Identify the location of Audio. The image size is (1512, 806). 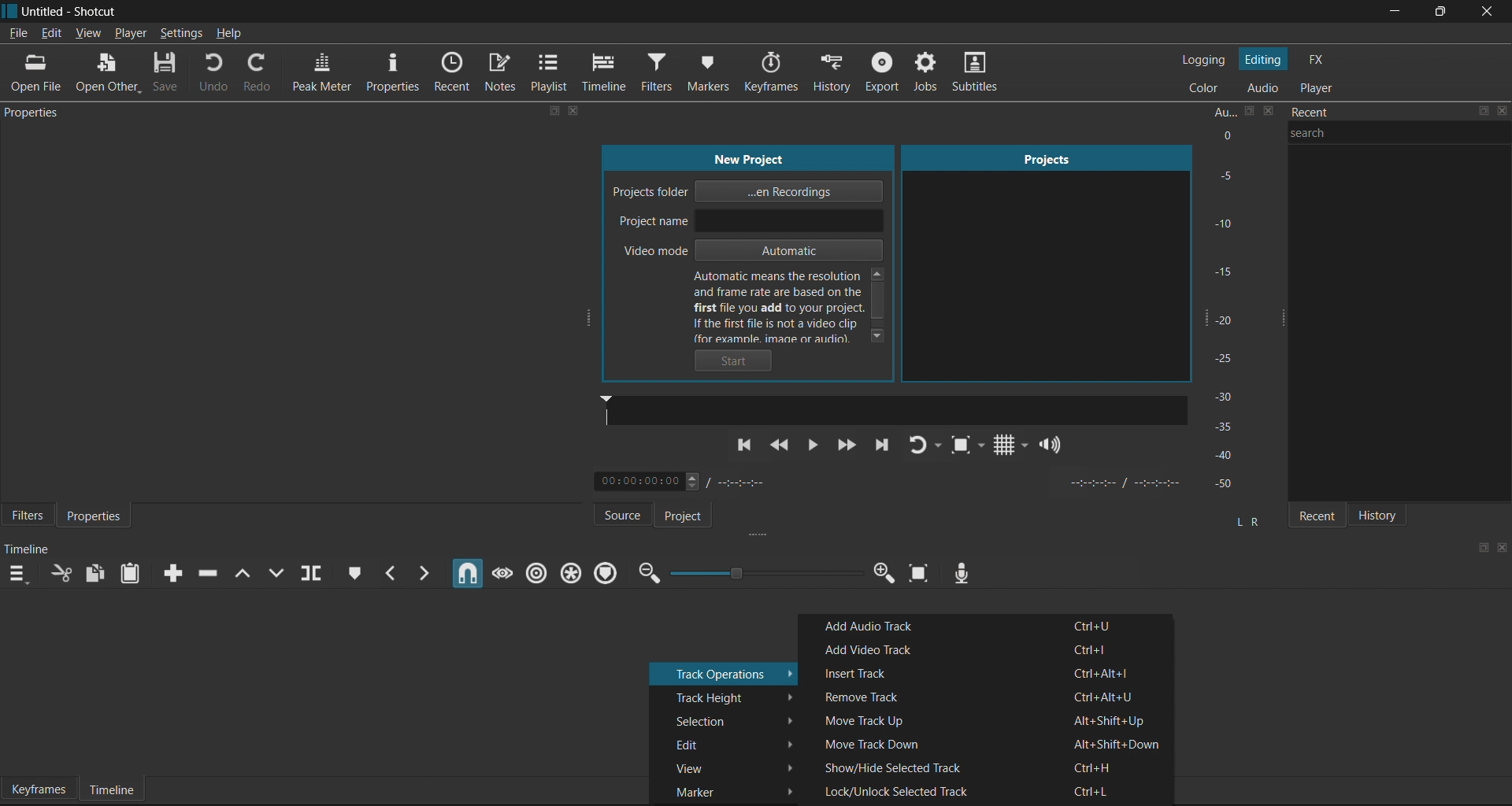
(1262, 88).